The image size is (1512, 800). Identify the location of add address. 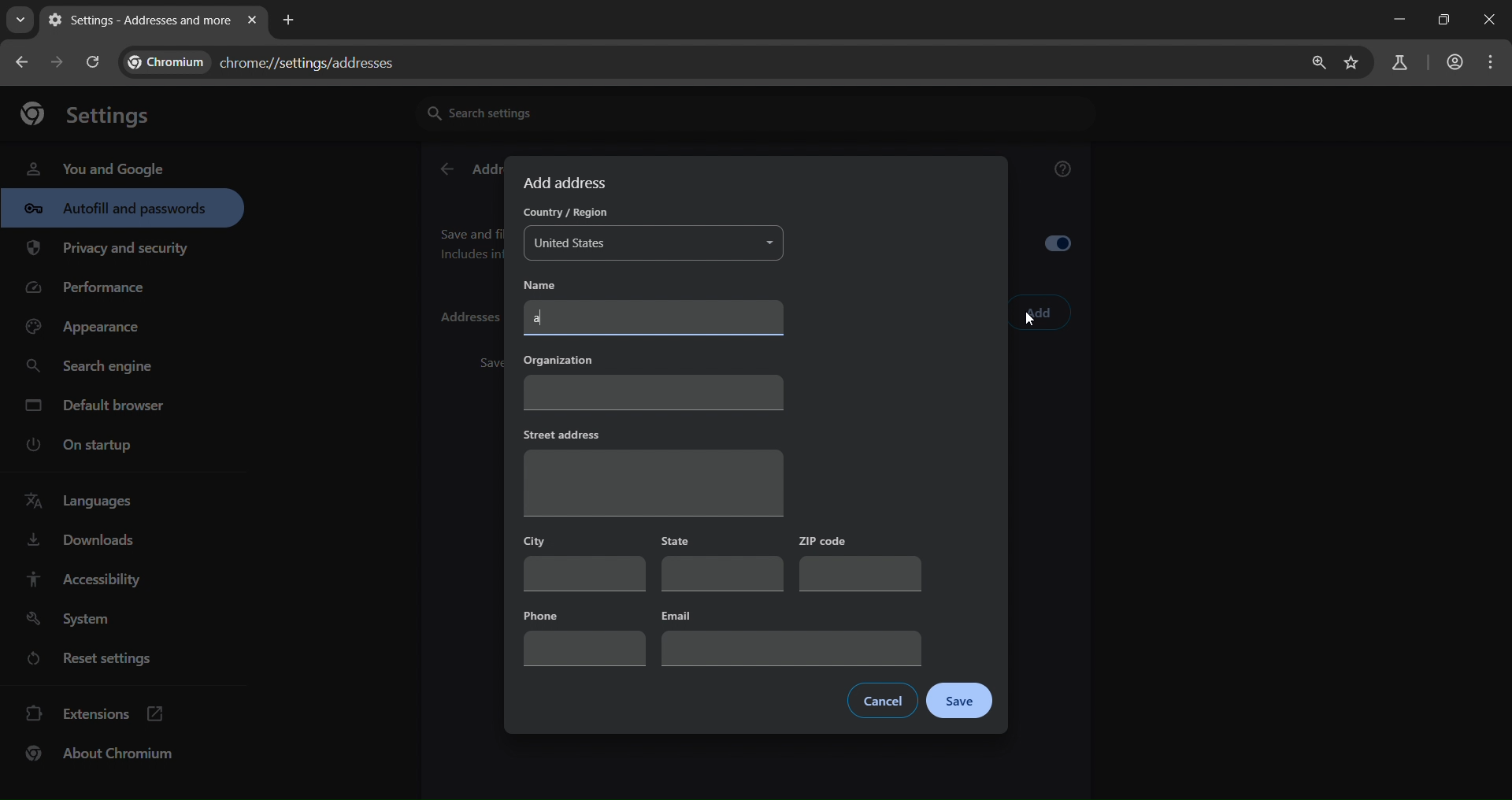
(568, 183).